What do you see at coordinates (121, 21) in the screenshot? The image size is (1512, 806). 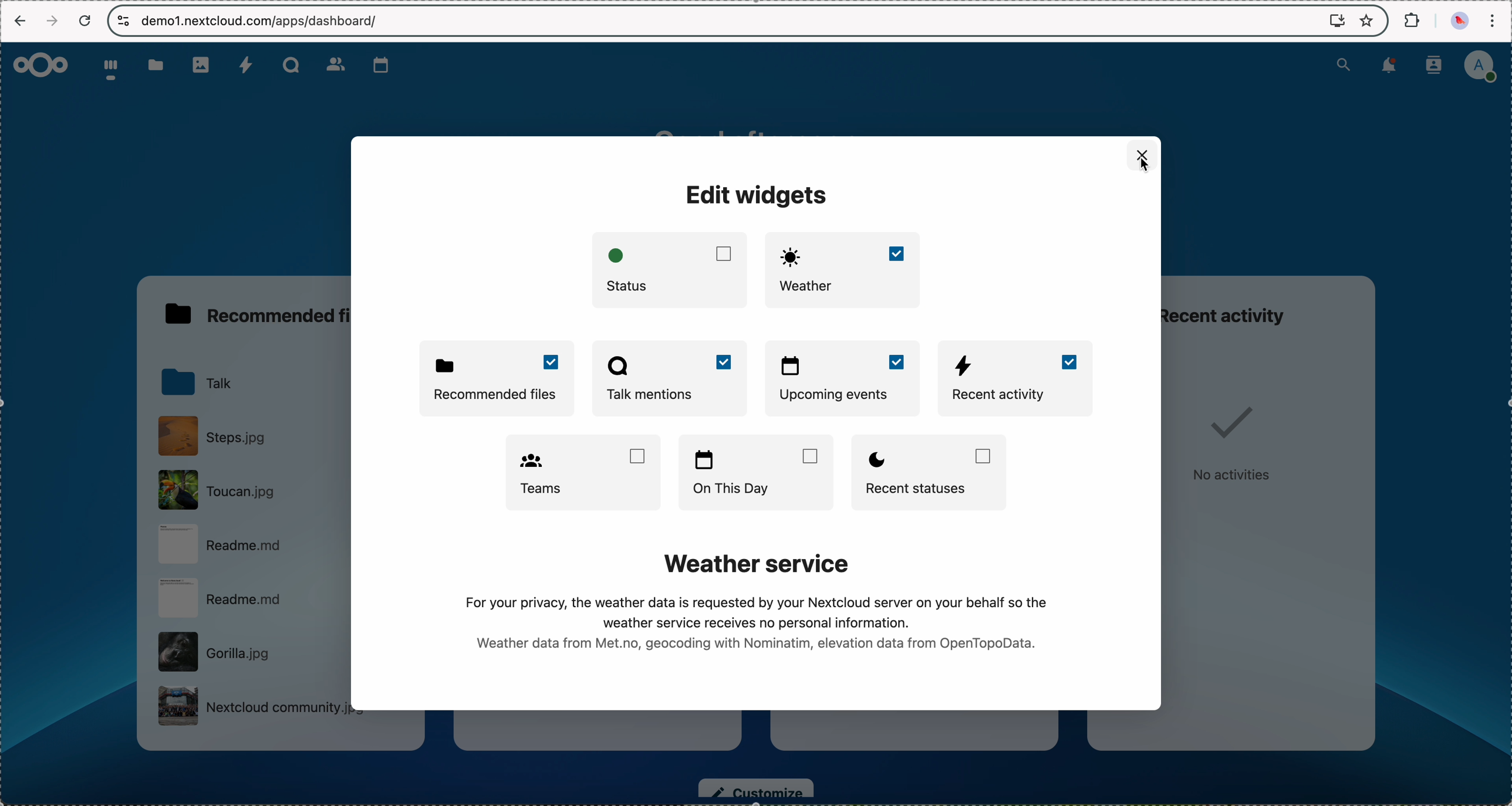 I see `controls` at bounding box center [121, 21].